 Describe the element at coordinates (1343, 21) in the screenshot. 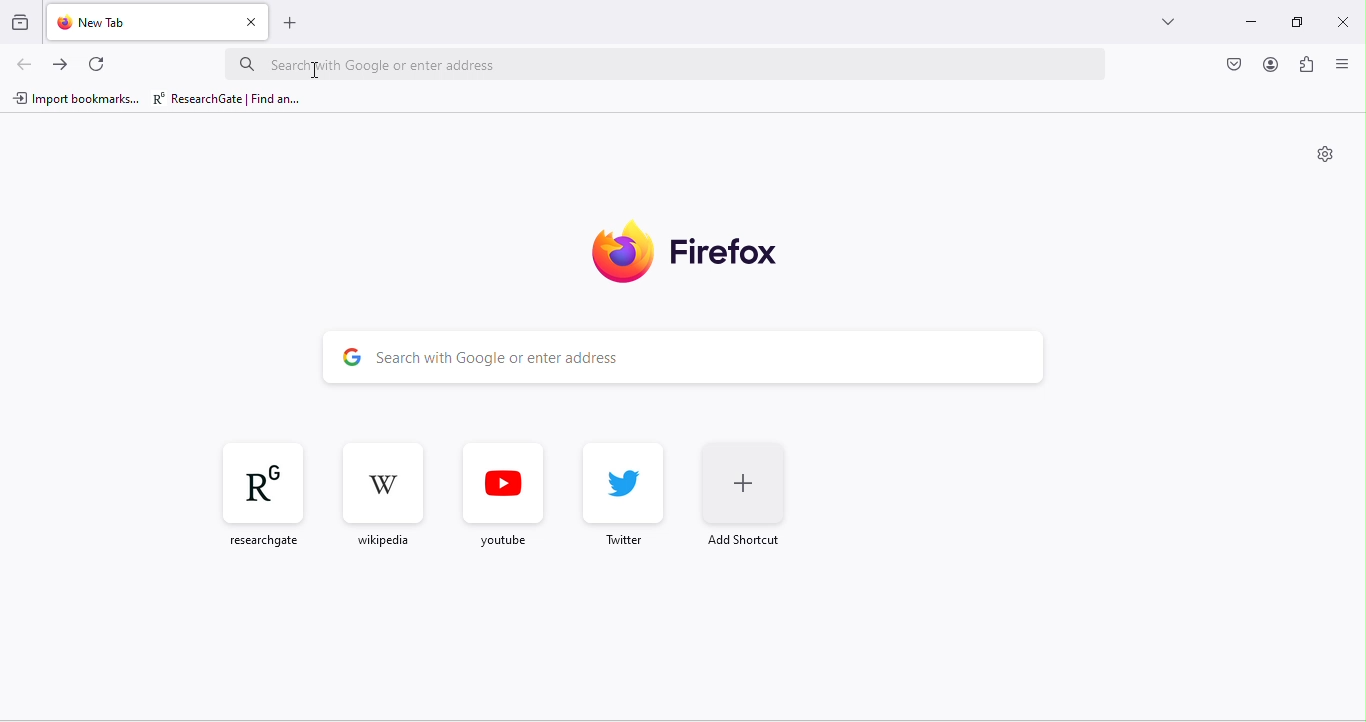

I see `close` at that location.